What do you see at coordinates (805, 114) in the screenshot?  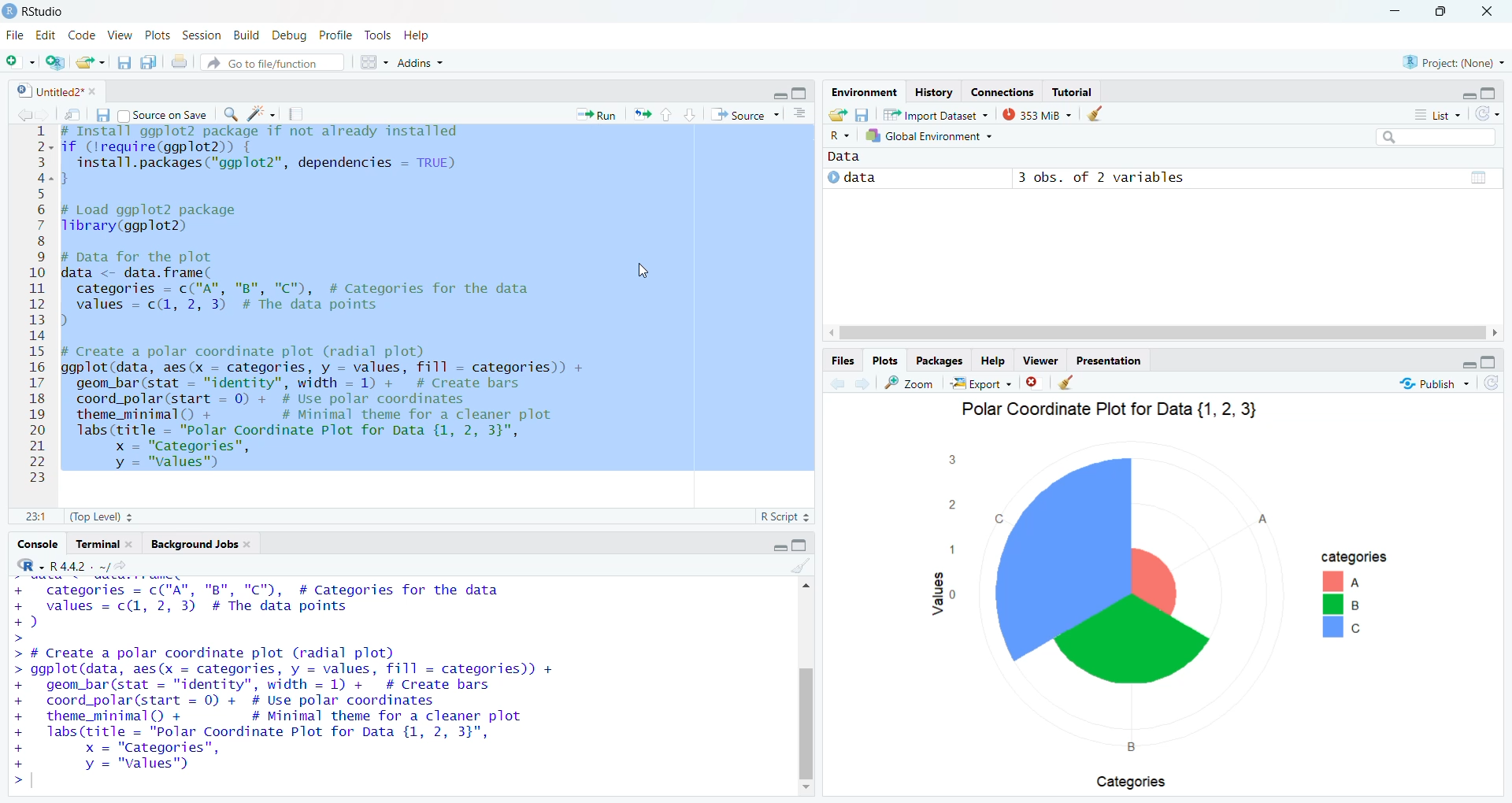 I see `show document outline` at bounding box center [805, 114].